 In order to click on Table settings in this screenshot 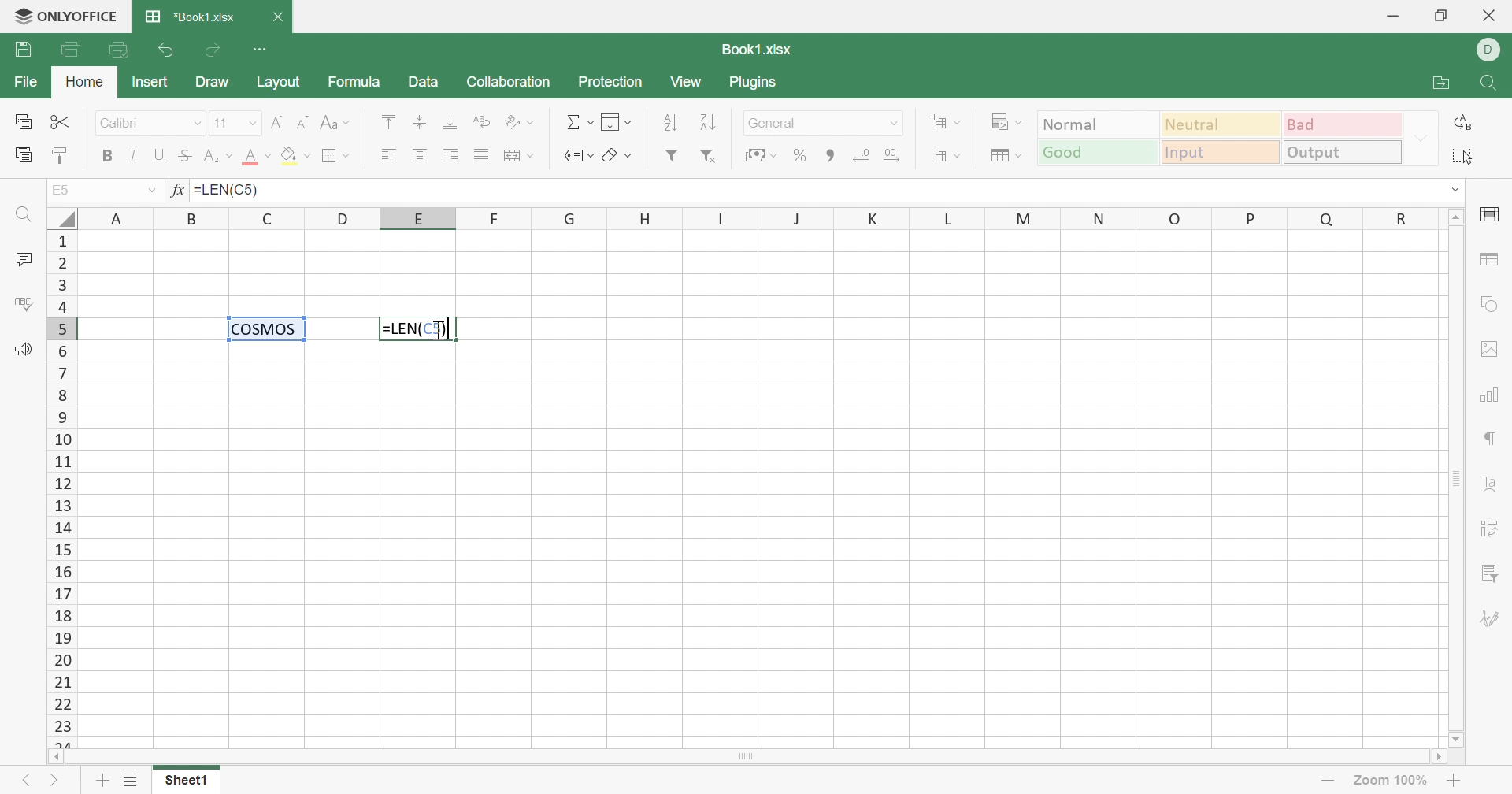, I will do `click(1489, 258)`.